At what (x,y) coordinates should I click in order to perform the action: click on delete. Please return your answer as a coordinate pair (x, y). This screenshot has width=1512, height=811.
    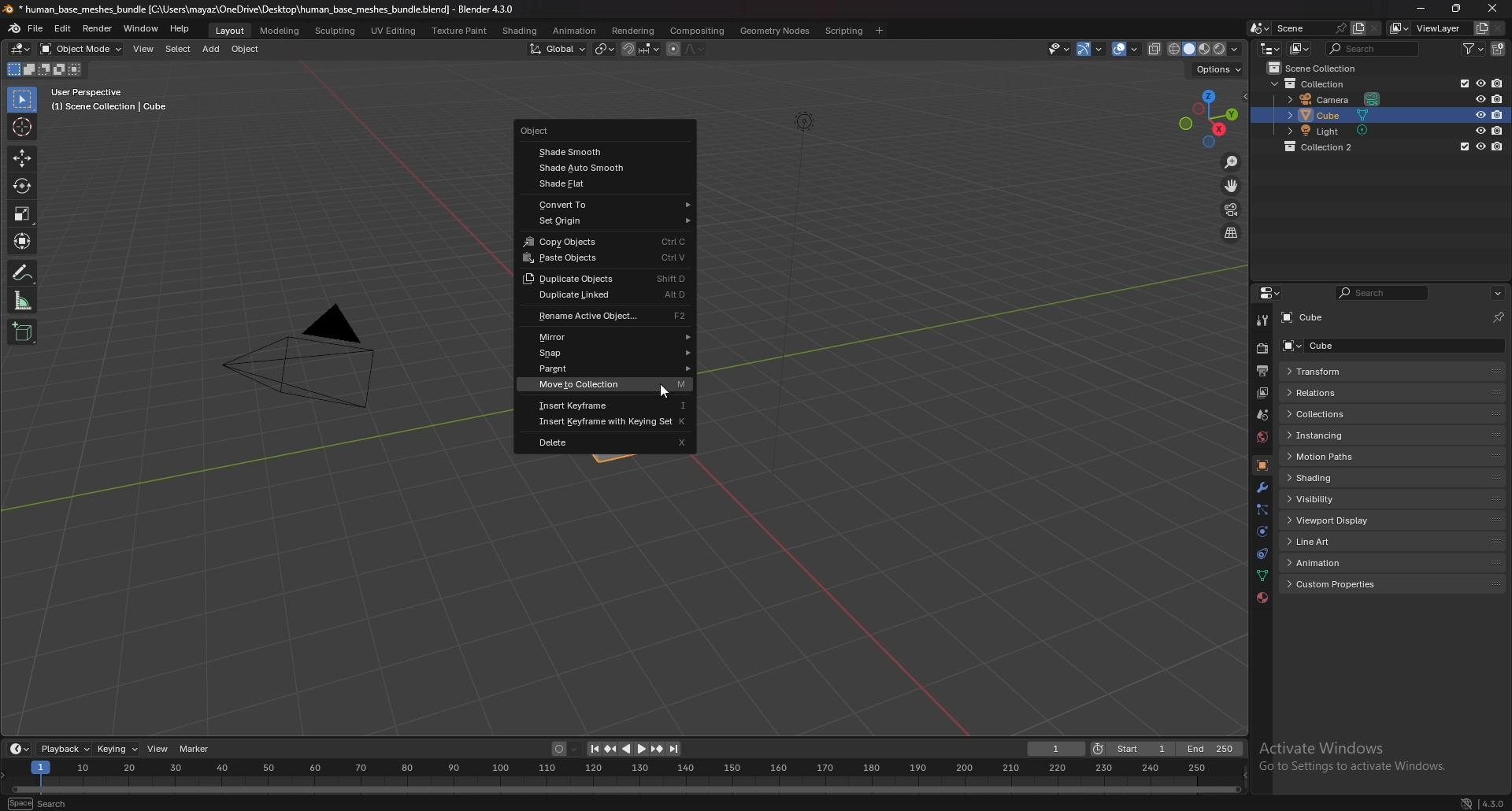
    Looking at the image, I should click on (606, 441).